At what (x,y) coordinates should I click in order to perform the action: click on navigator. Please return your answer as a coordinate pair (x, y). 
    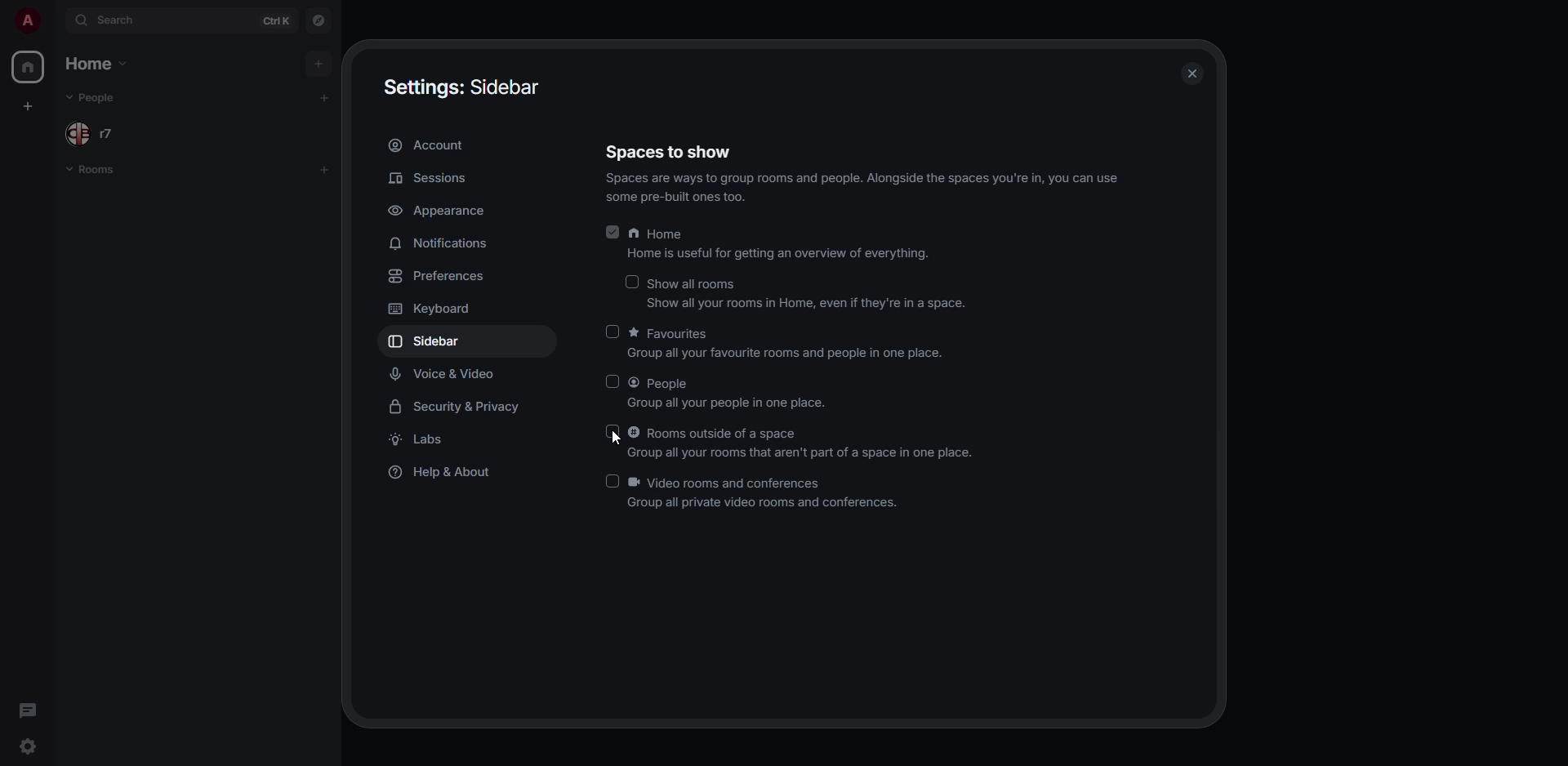
    Looking at the image, I should click on (320, 19).